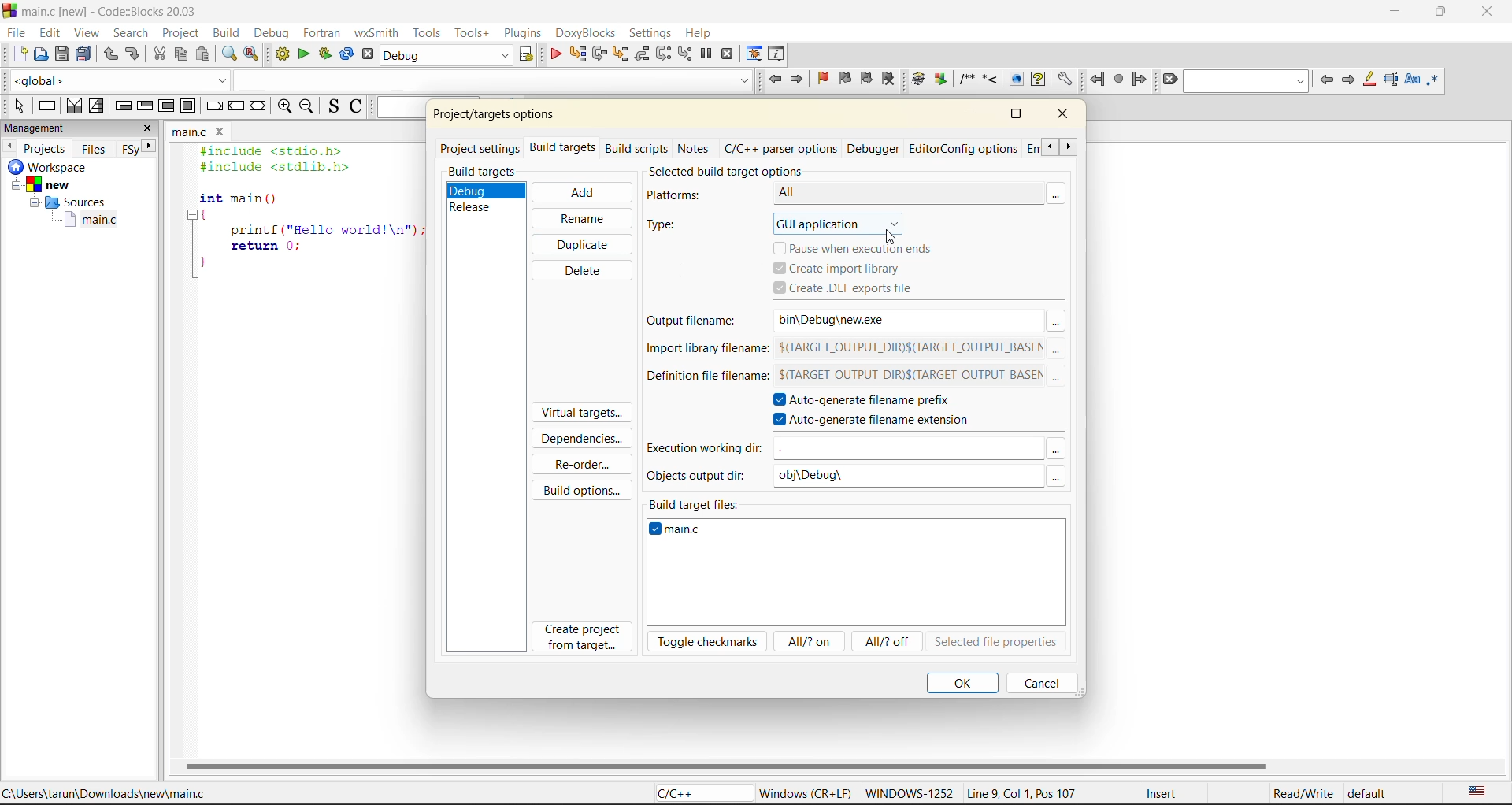 Image resolution: width=1512 pixels, height=805 pixels. I want to click on various info, so click(778, 52).